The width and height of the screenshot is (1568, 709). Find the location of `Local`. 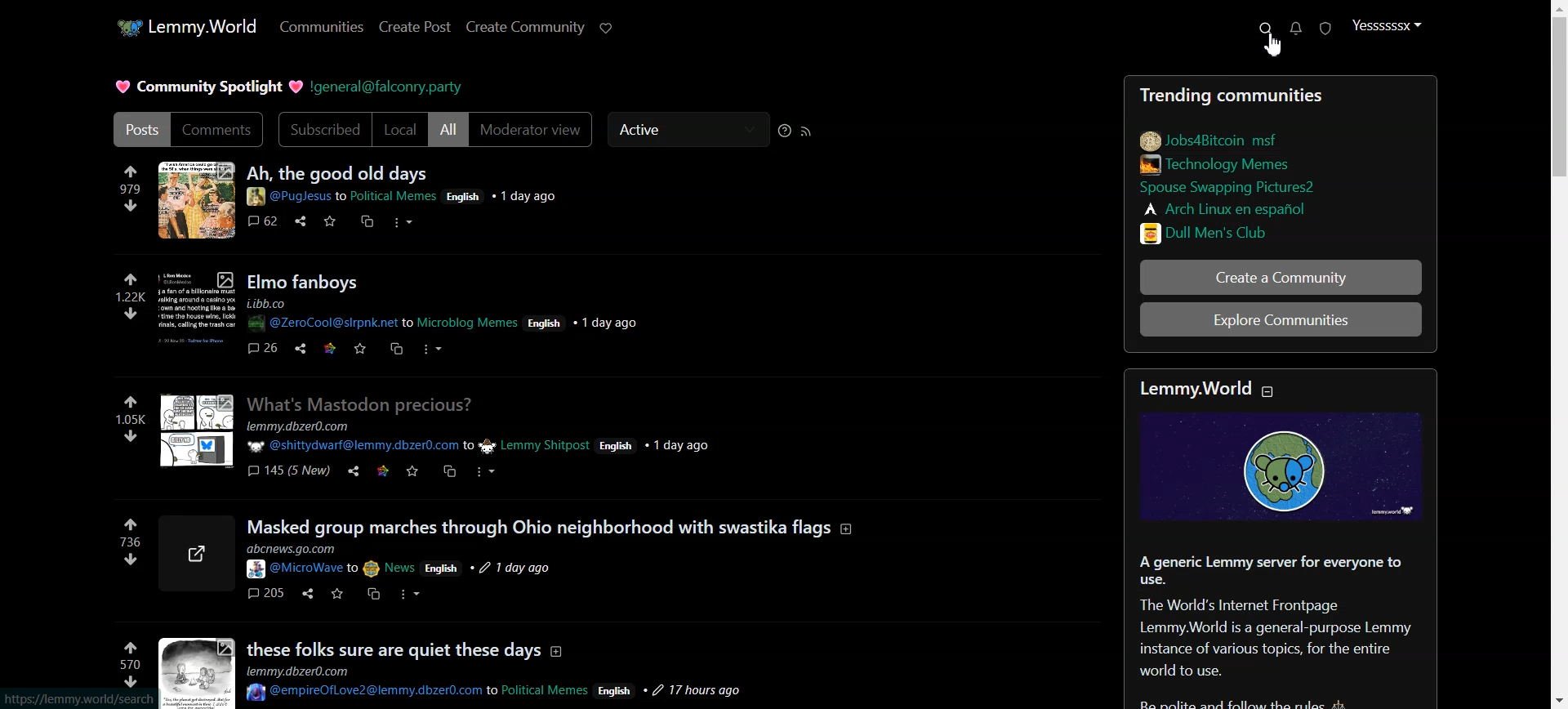

Local is located at coordinates (400, 130).